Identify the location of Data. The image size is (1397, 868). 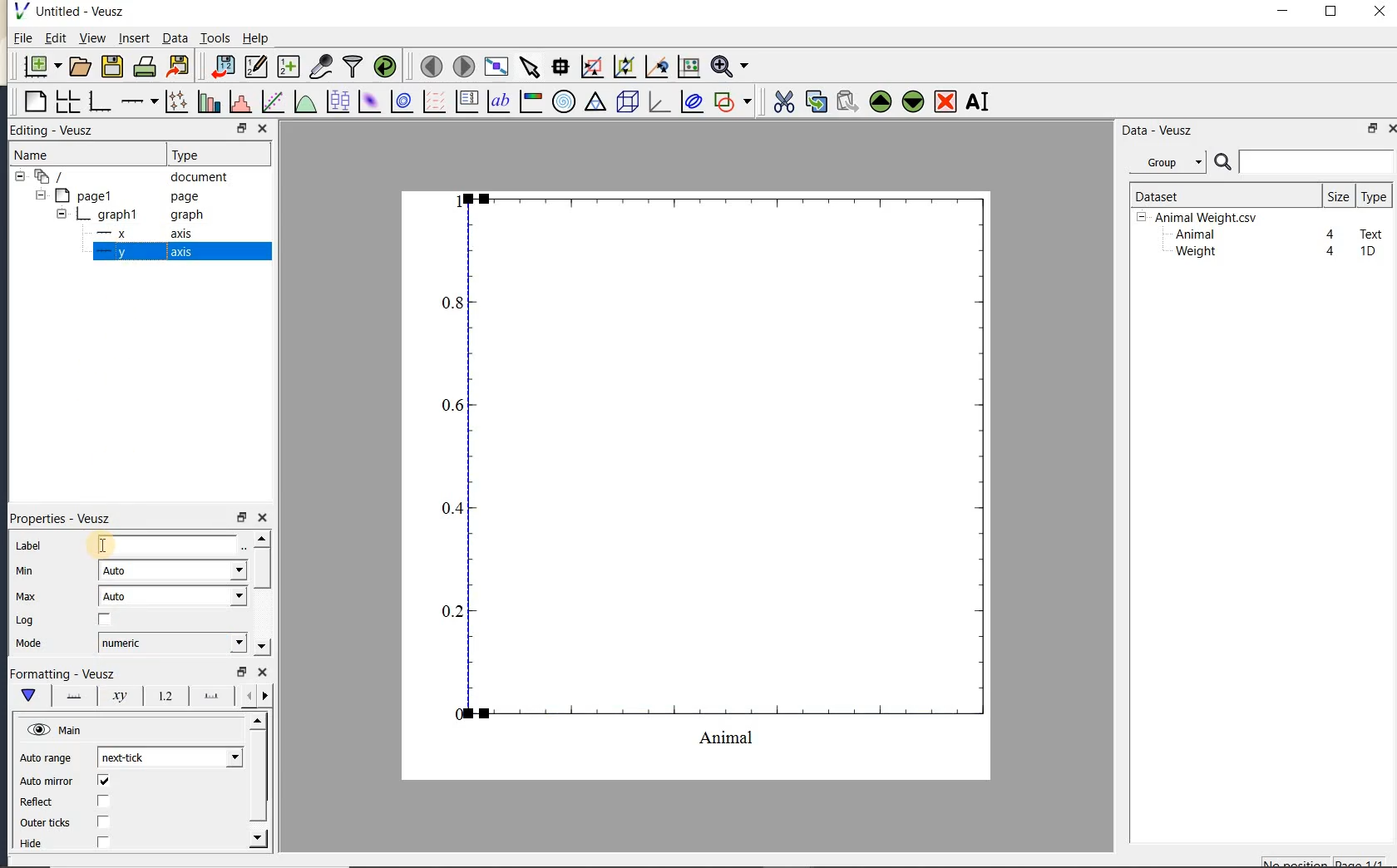
(175, 37).